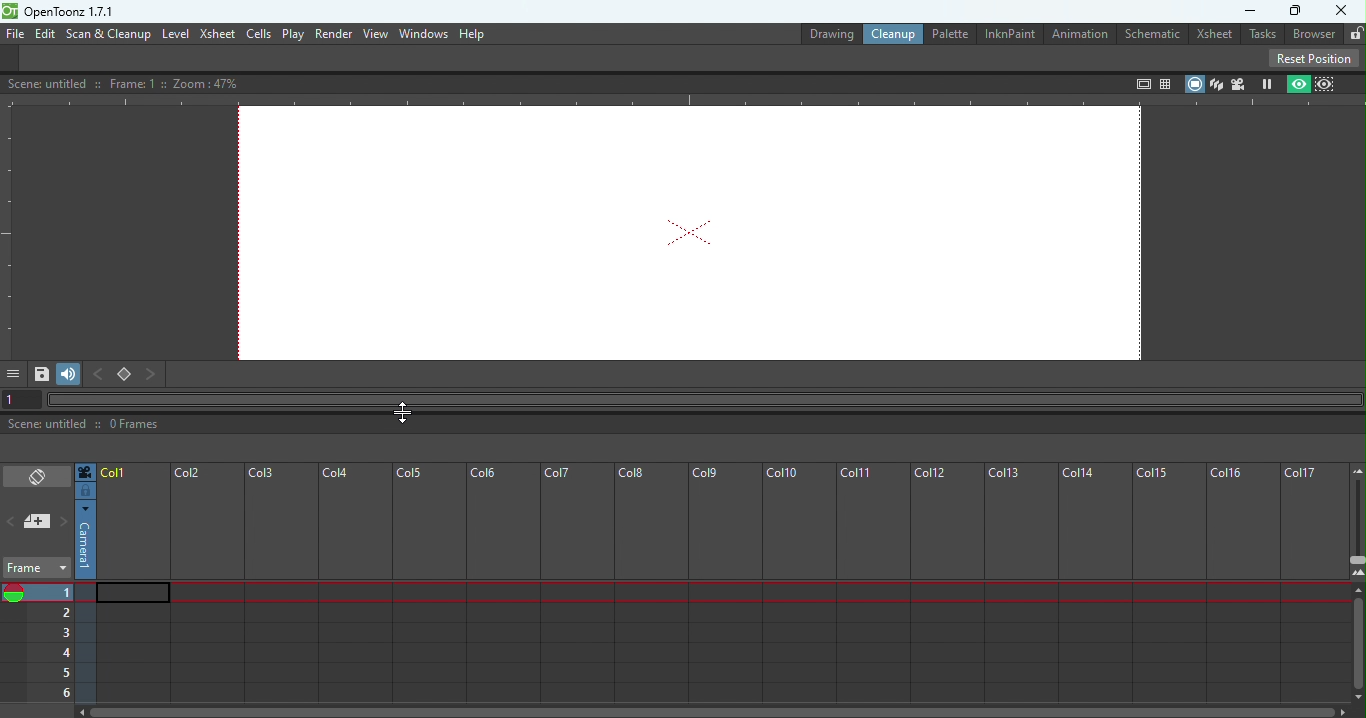 This screenshot has width=1366, height=718. I want to click on Status bar, so click(687, 423).